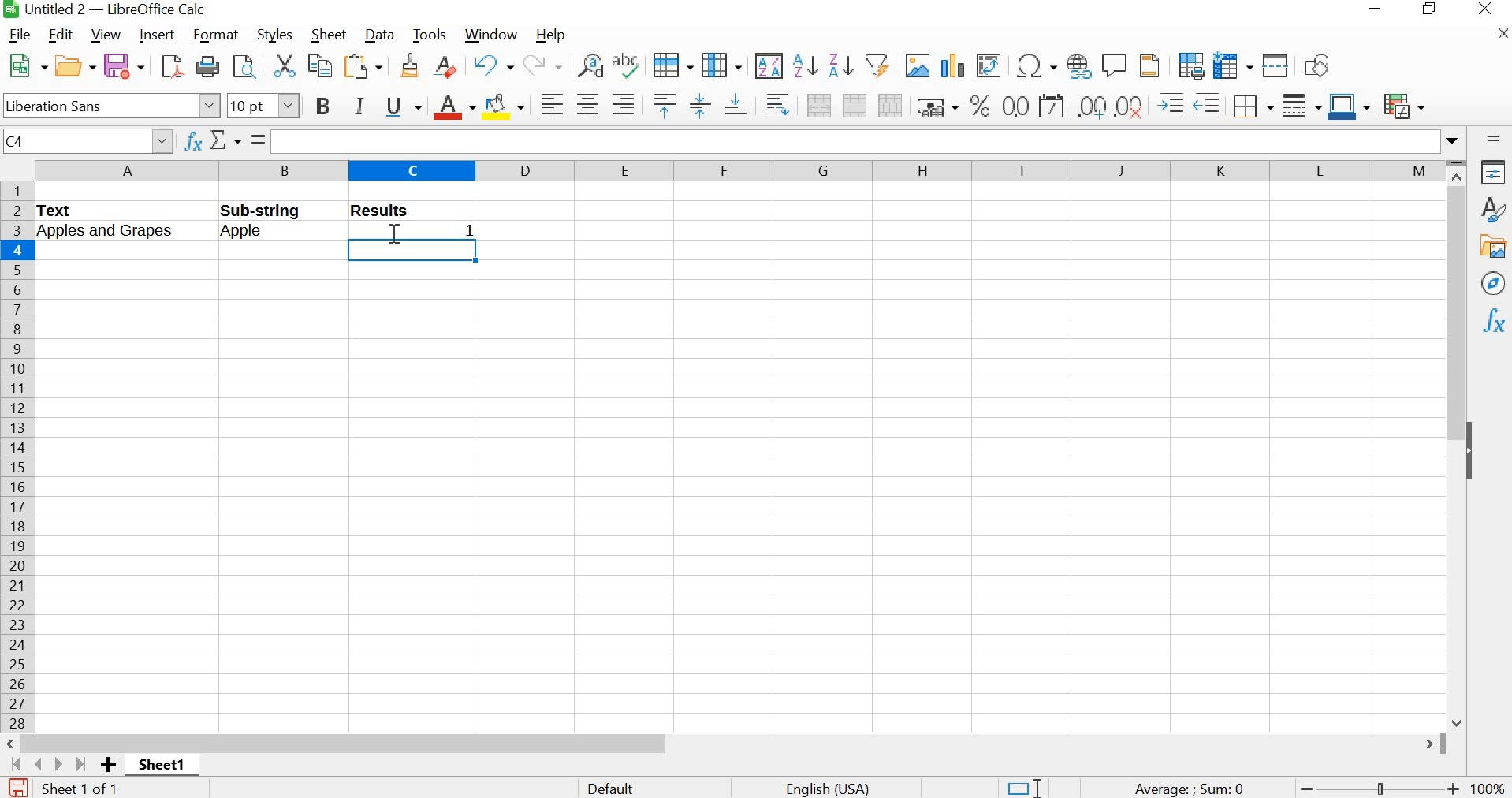  What do you see at coordinates (217, 35) in the screenshot?
I see `format` at bounding box center [217, 35].